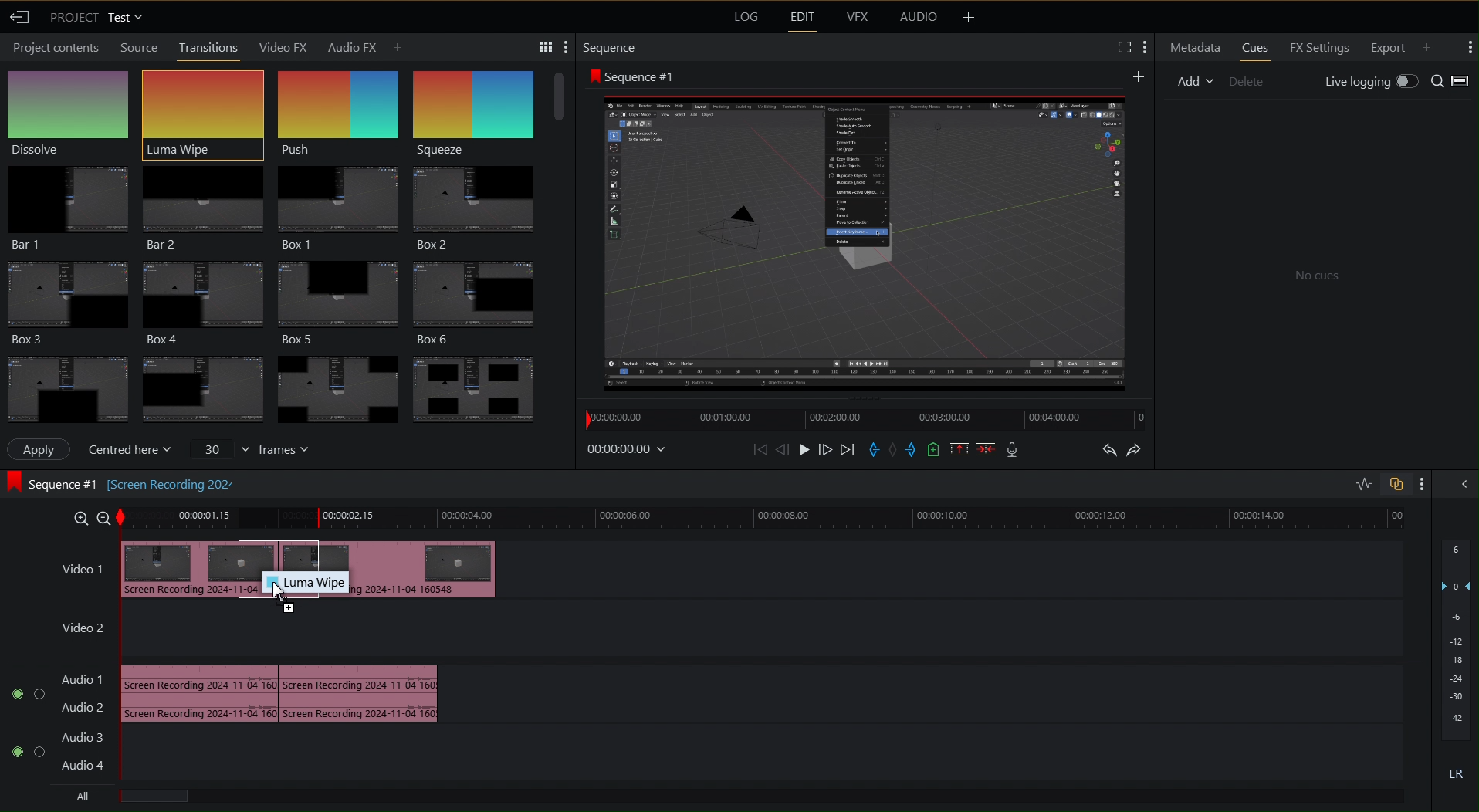 Image resolution: width=1479 pixels, height=812 pixels. What do you see at coordinates (611, 46) in the screenshot?
I see `Sequence` at bounding box center [611, 46].